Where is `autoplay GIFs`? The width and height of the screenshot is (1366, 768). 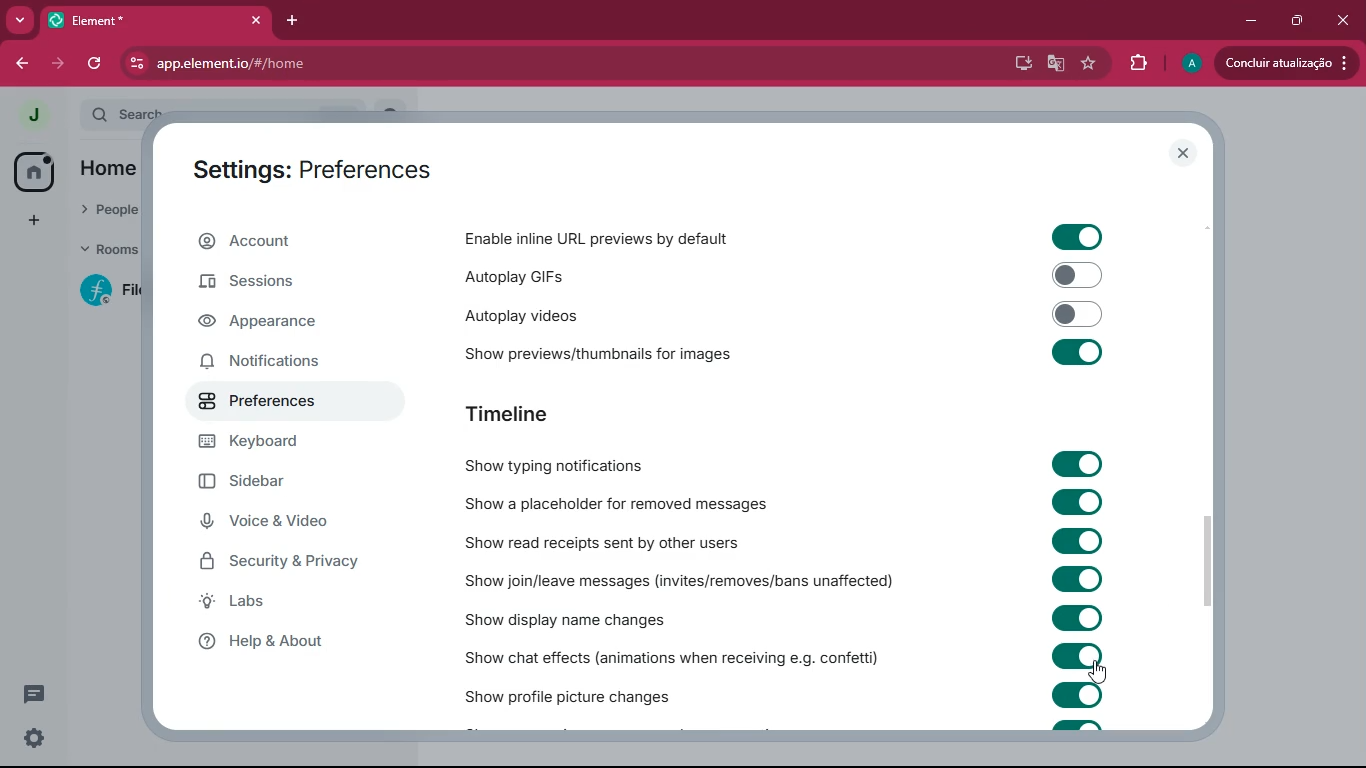 autoplay GIFs is located at coordinates (599, 274).